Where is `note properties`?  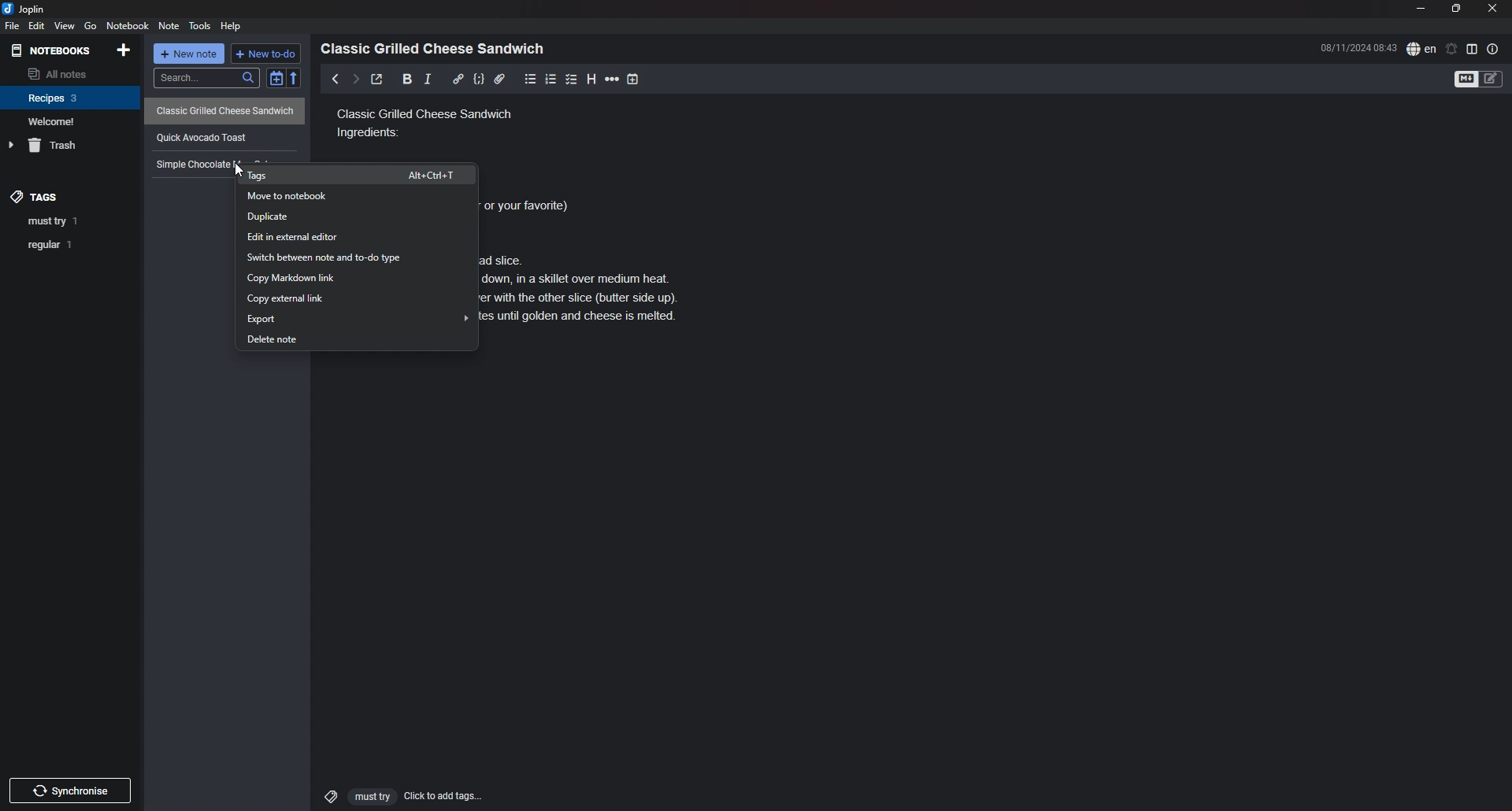 note properties is located at coordinates (1493, 49).